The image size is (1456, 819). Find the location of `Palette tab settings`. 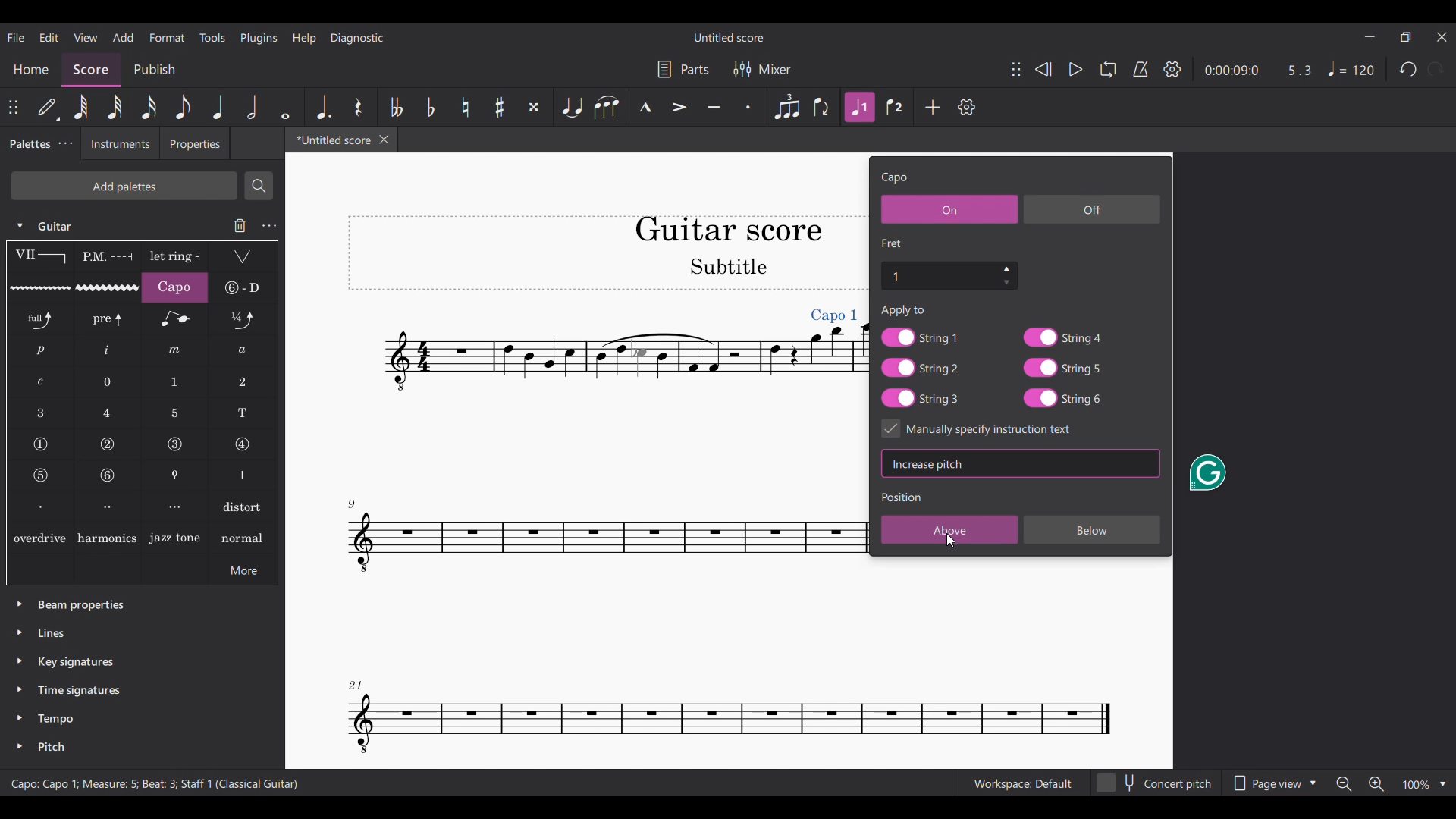

Palette tab settings is located at coordinates (67, 143).